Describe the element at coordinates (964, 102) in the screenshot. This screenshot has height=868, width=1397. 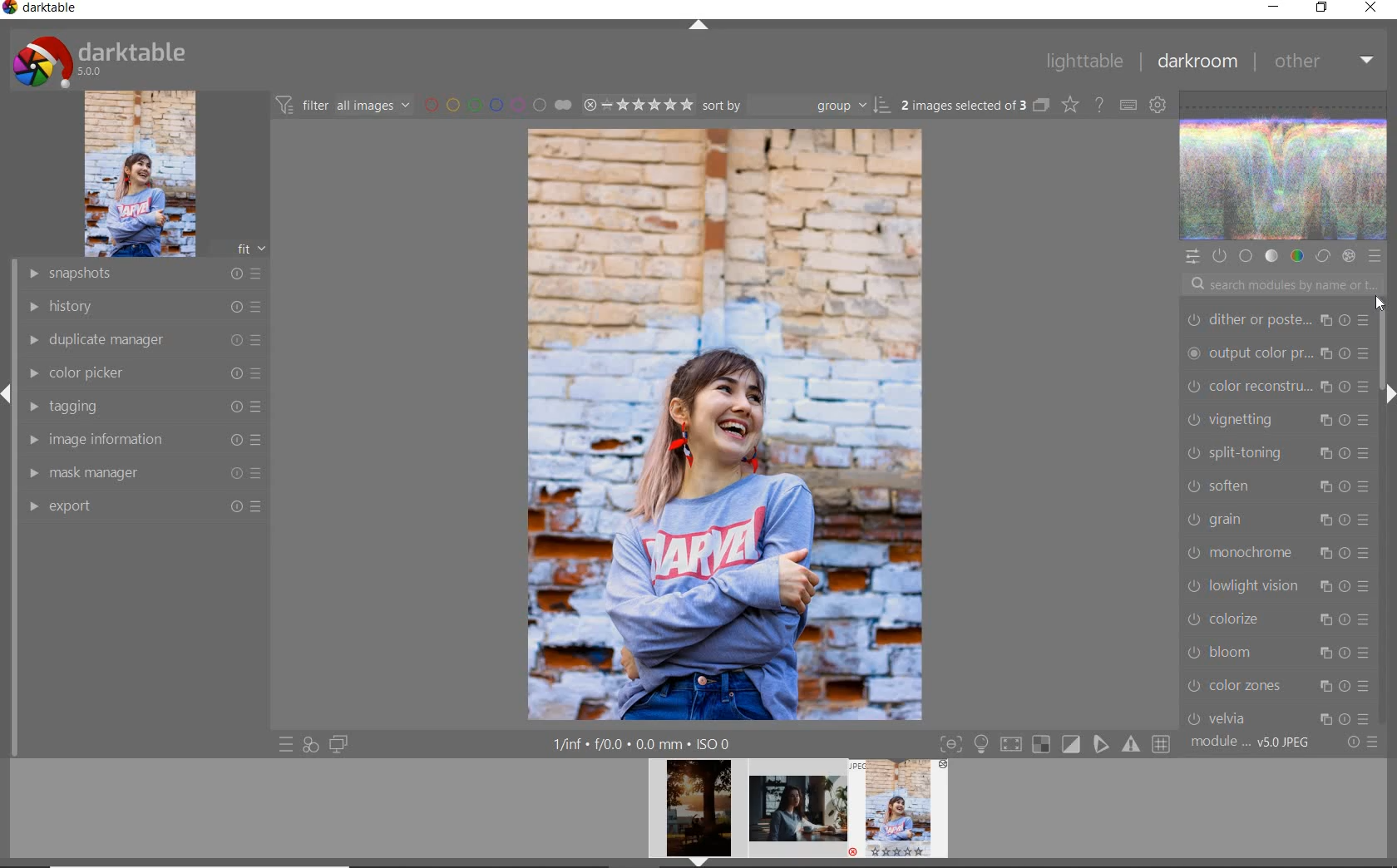
I see `SELECTED IMAGES` at that location.